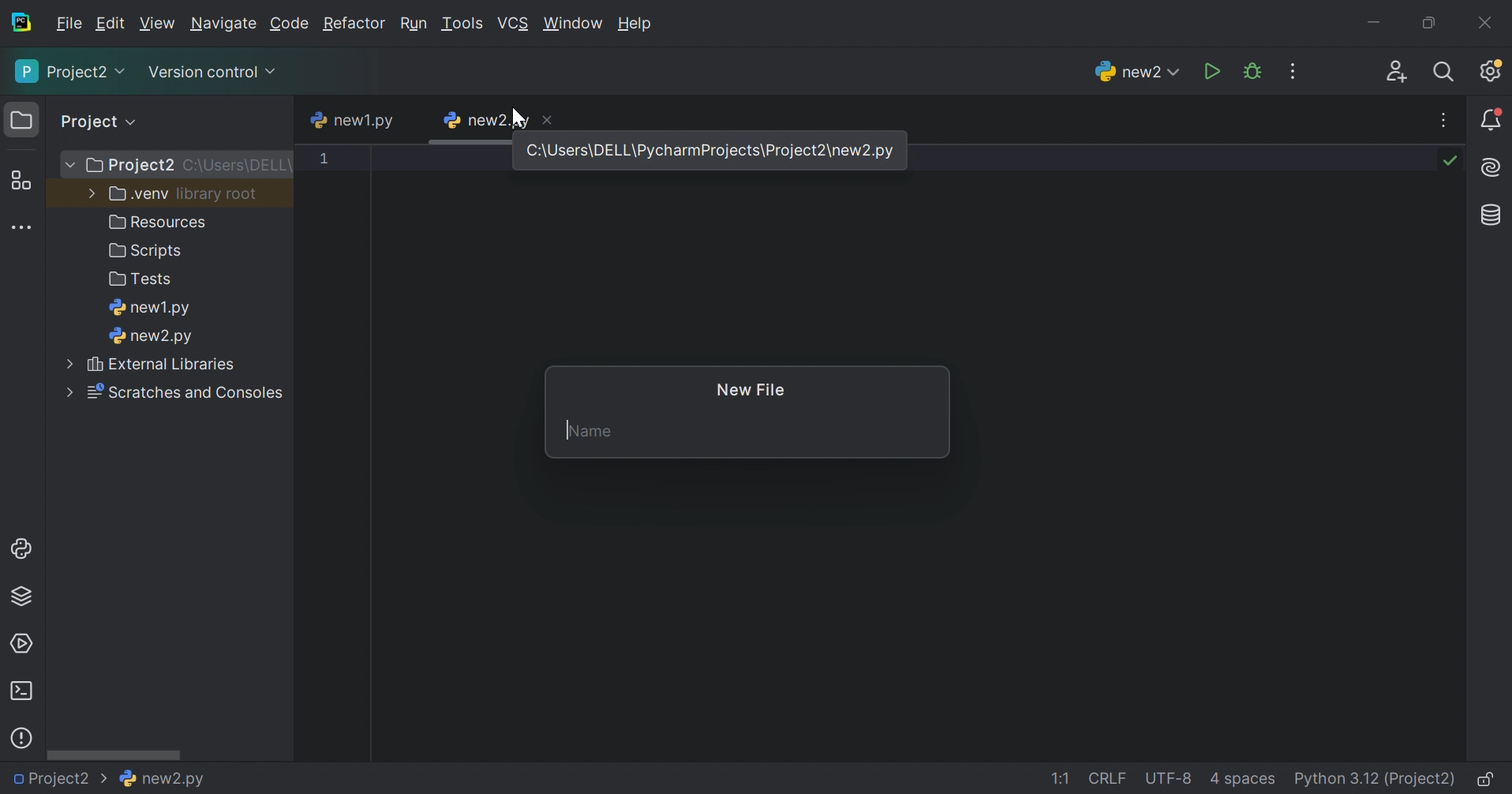  What do you see at coordinates (1488, 781) in the screenshot?
I see `Make file read-only` at bounding box center [1488, 781].